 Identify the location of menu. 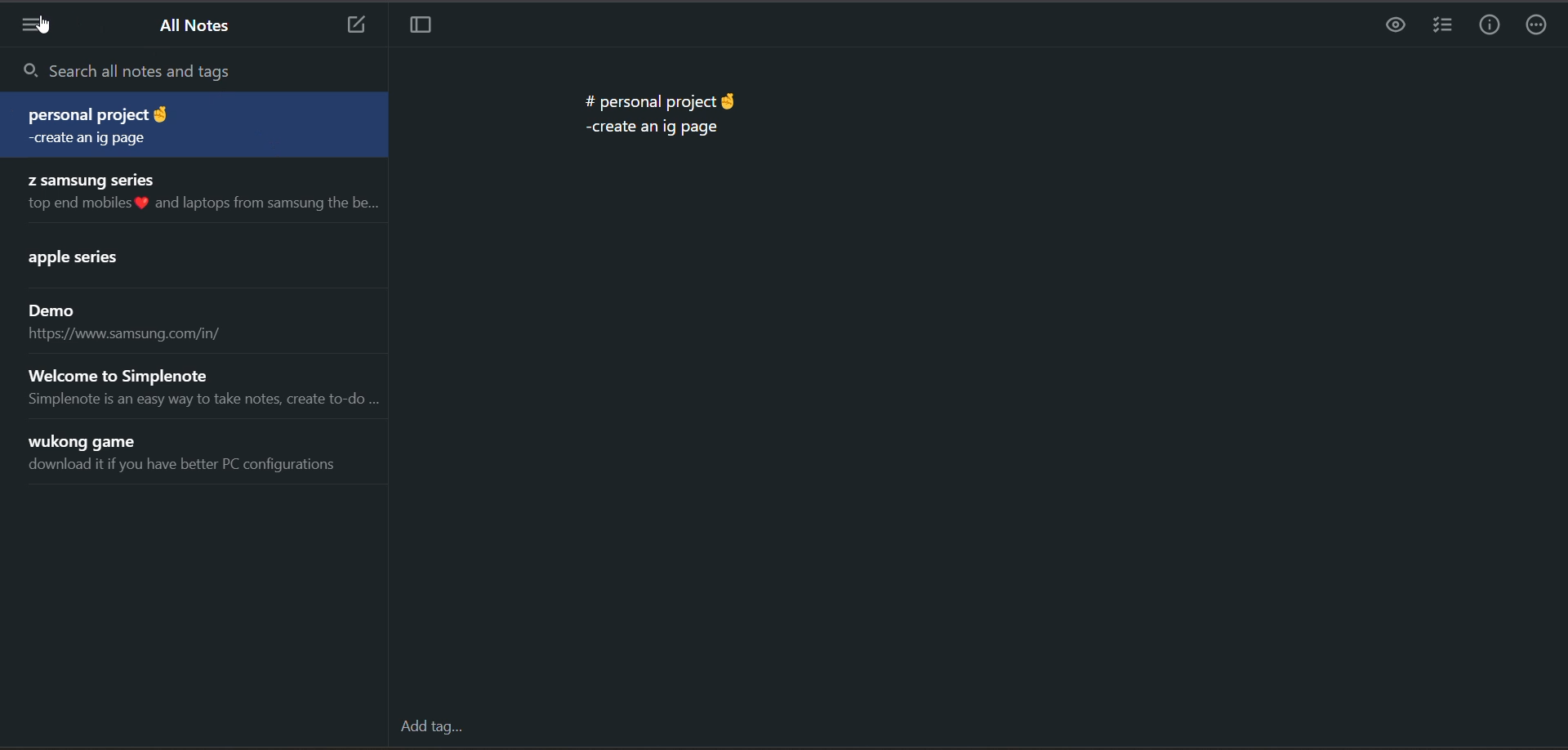
(35, 29).